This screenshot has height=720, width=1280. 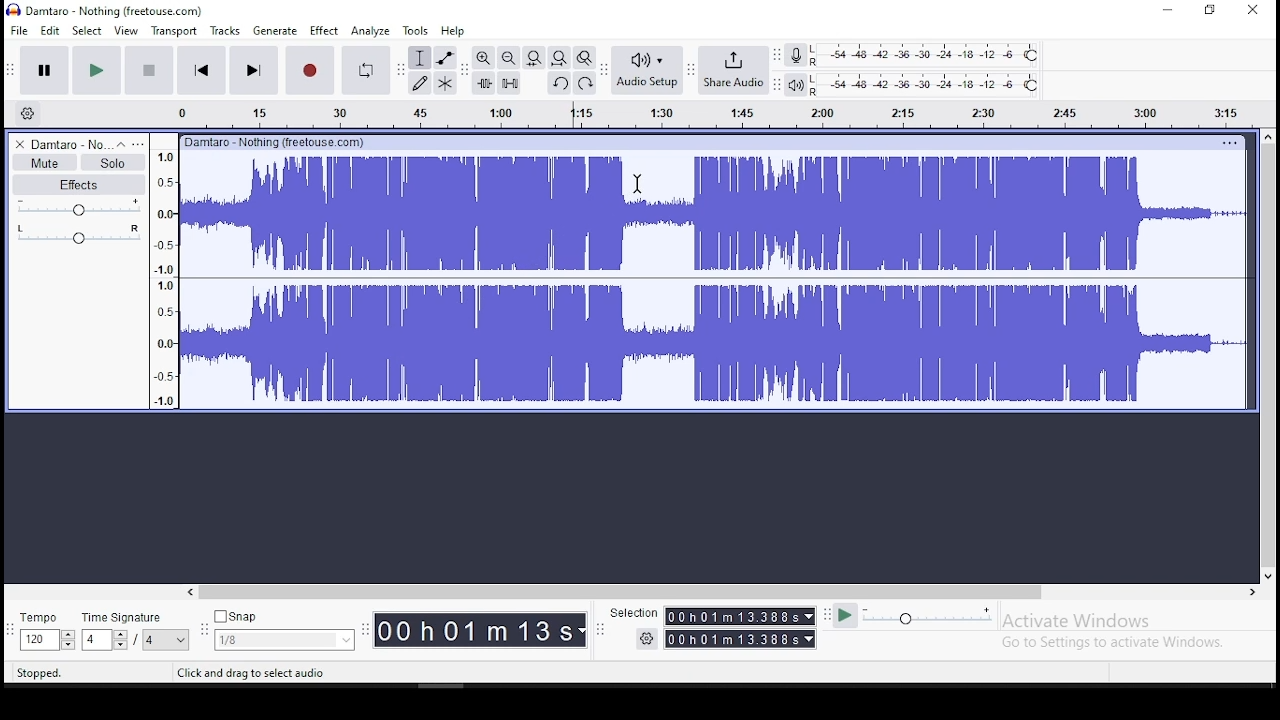 What do you see at coordinates (1168, 10) in the screenshot?
I see `minimize` at bounding box center [1168, 10].